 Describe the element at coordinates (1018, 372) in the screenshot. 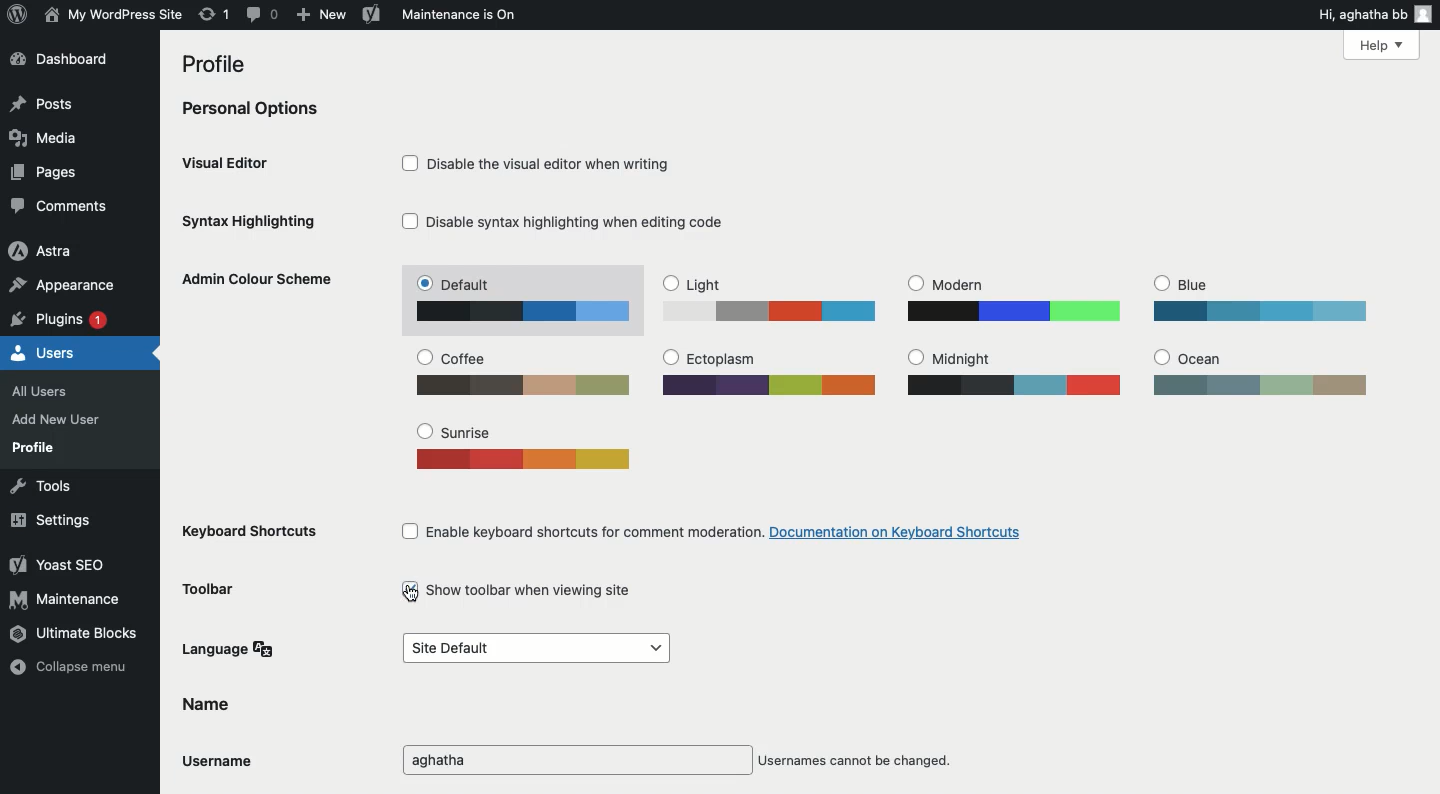

I see `Midnight` at that location.